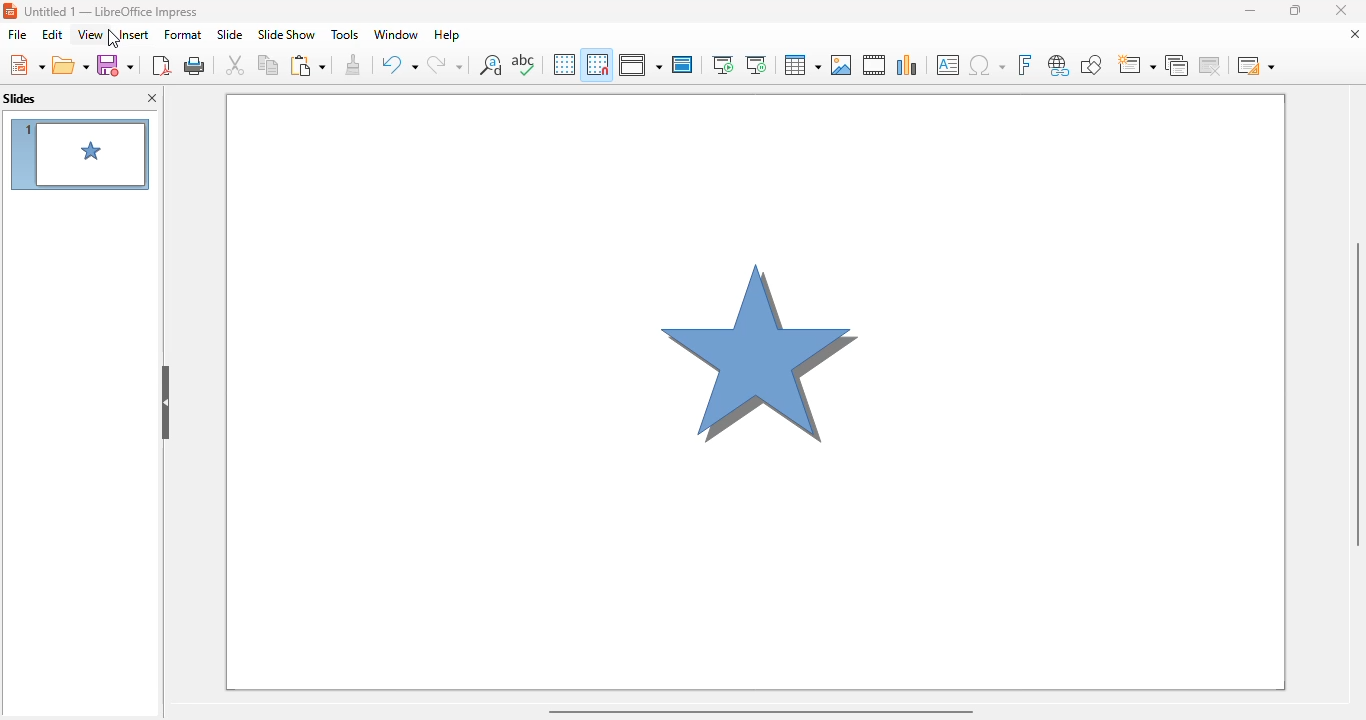  Describe the element at coordinates (287, 34) in the screenshot. I see `slide show` at that location.